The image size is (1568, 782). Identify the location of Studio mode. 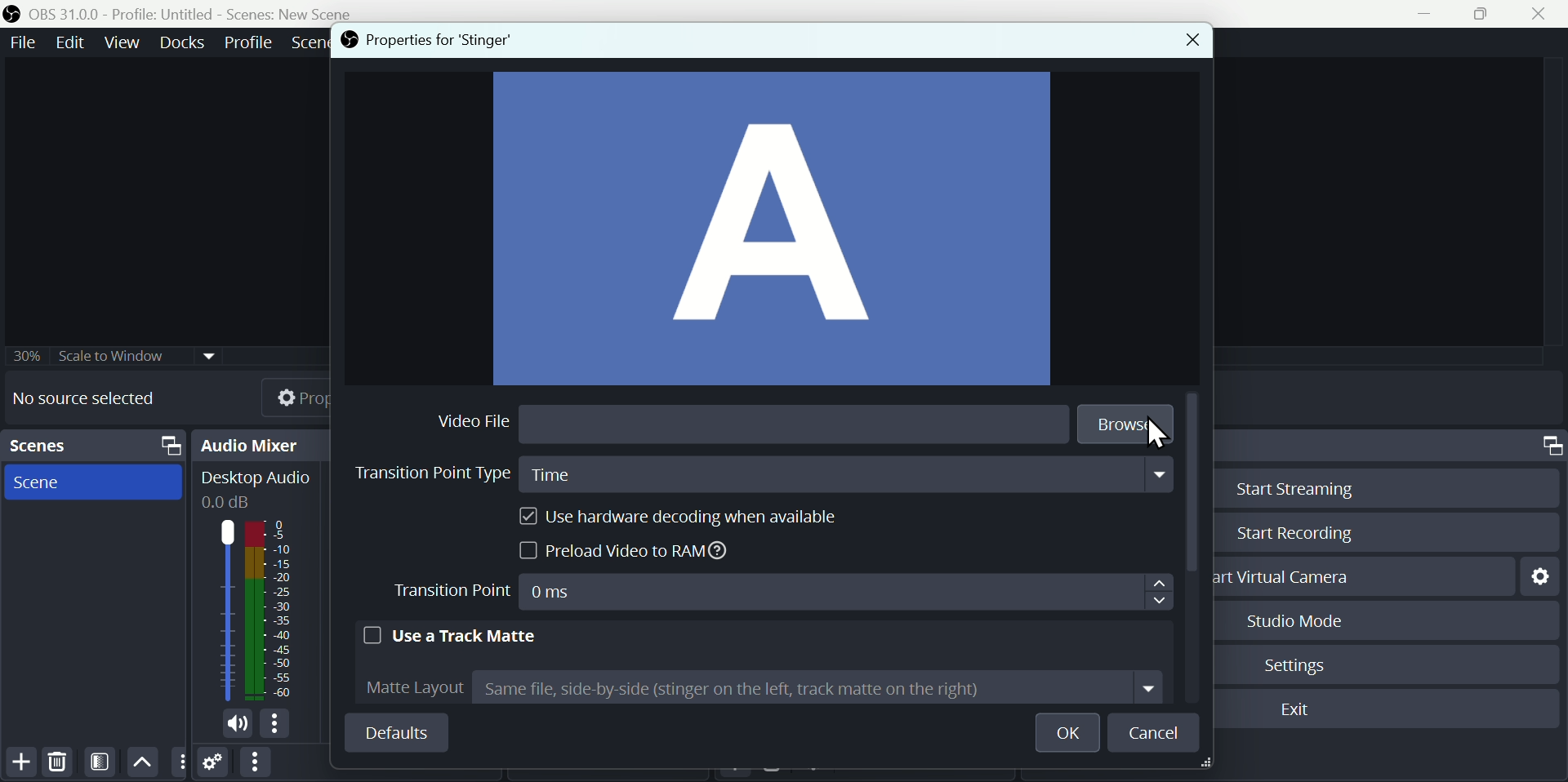
(1289, 620).